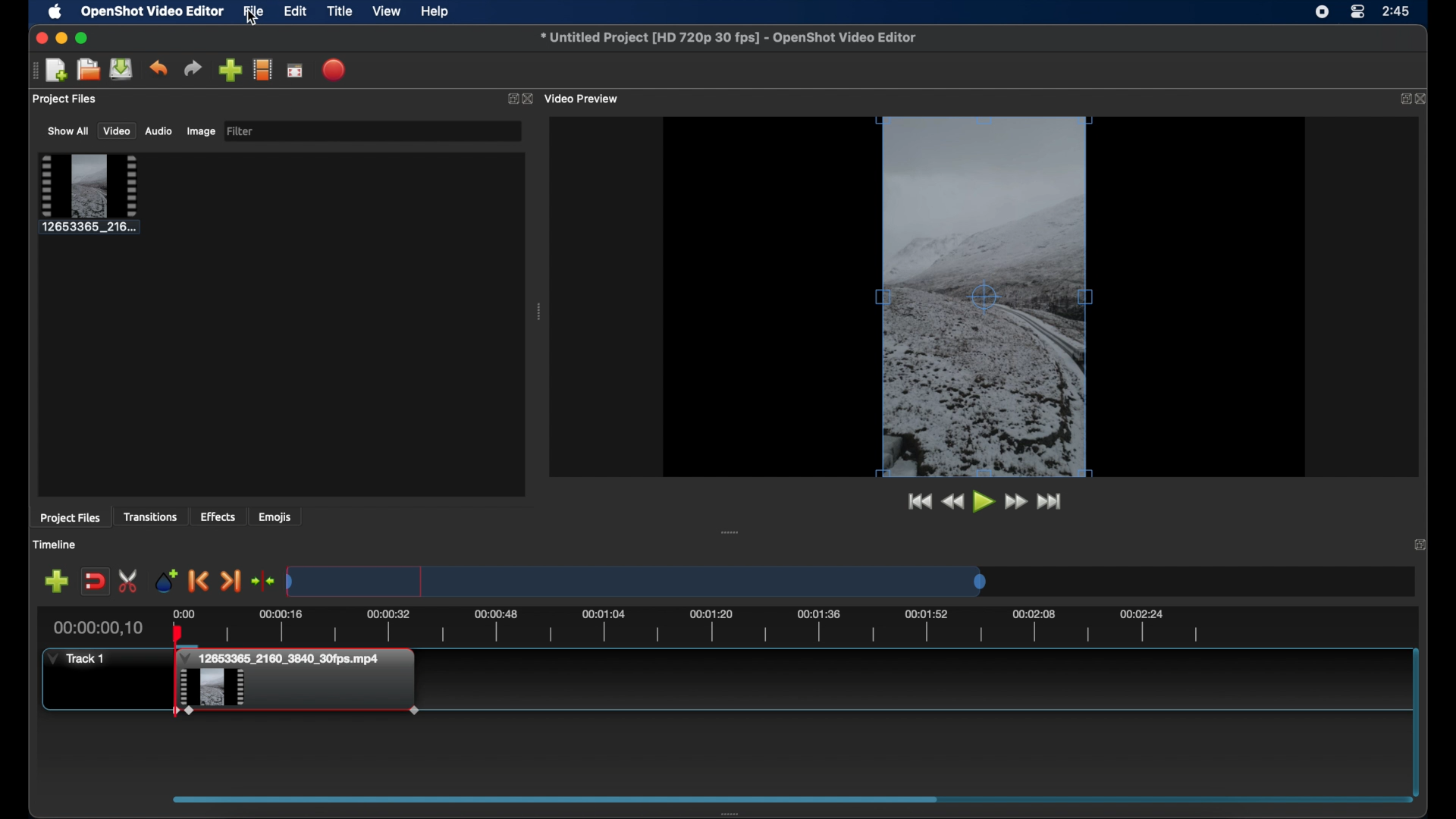  Describe the element at coordinates (1050, 501) in the screenshot. I see `jump to end` at that location.